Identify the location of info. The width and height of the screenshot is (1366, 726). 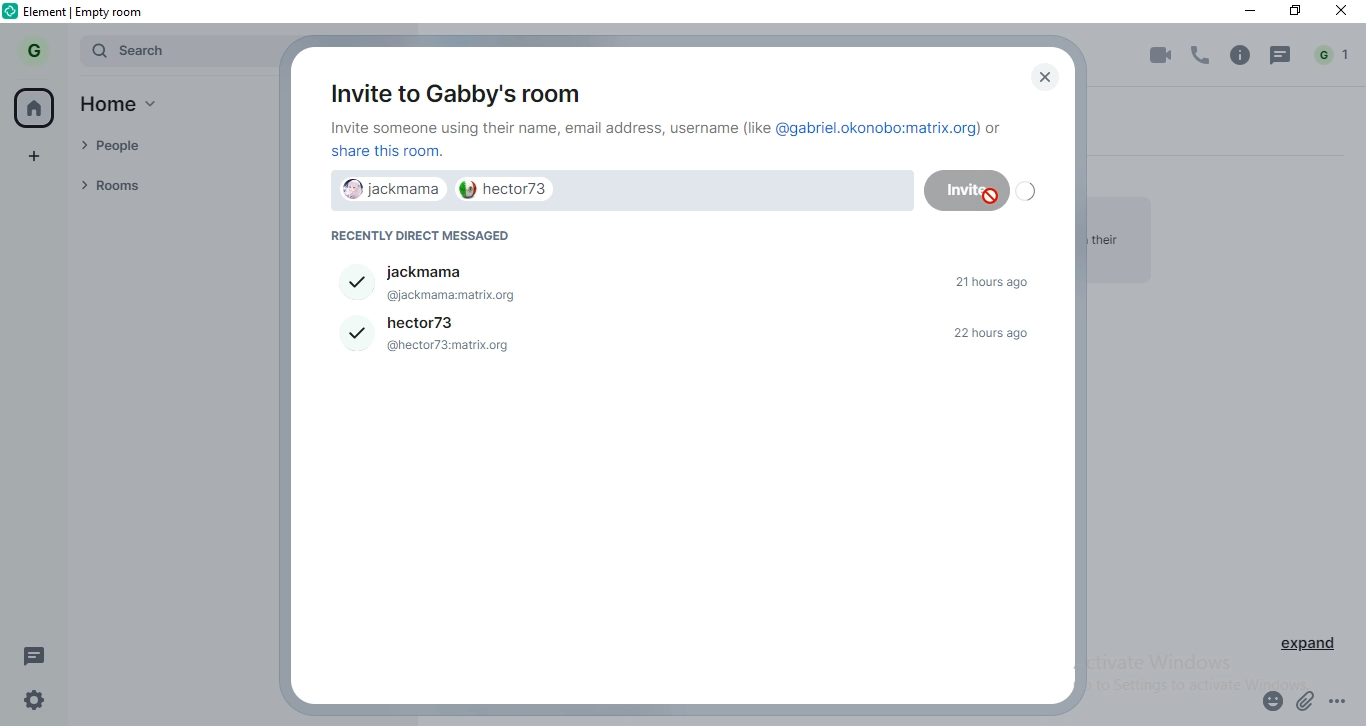
(1240, 55).